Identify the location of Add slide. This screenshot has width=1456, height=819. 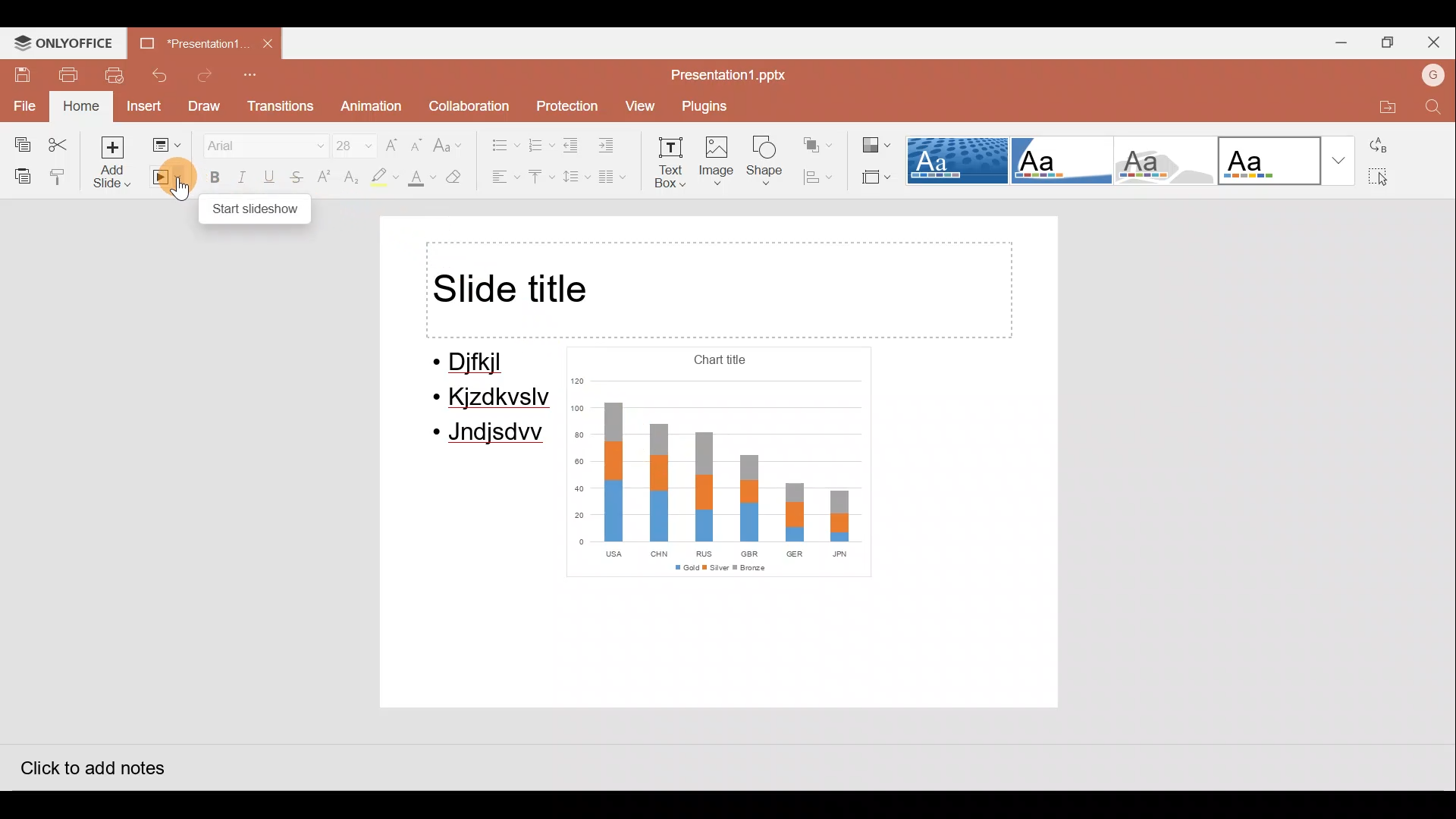
(115, 165).